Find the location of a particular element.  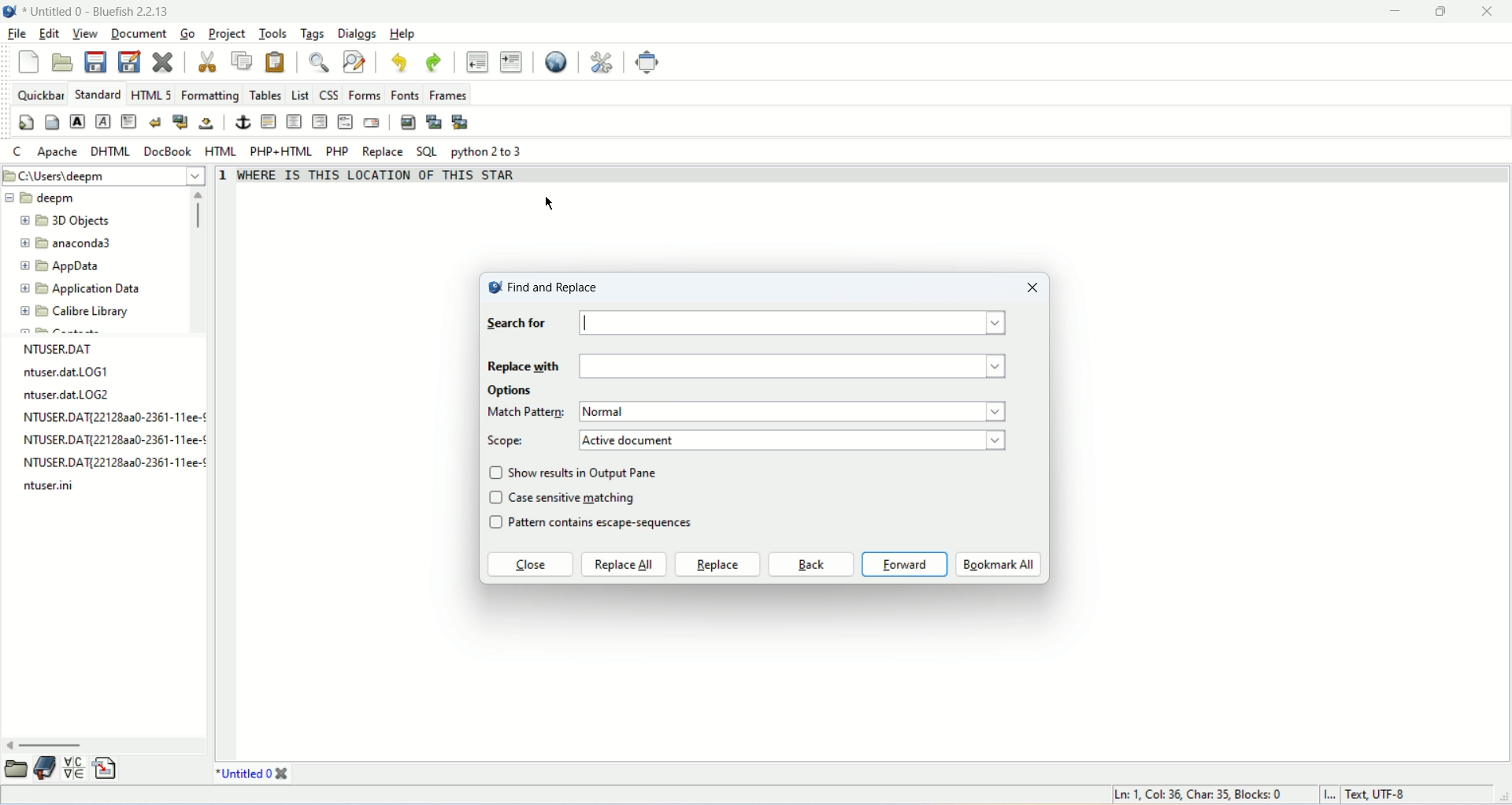

C is located at coordinates (19, 154).